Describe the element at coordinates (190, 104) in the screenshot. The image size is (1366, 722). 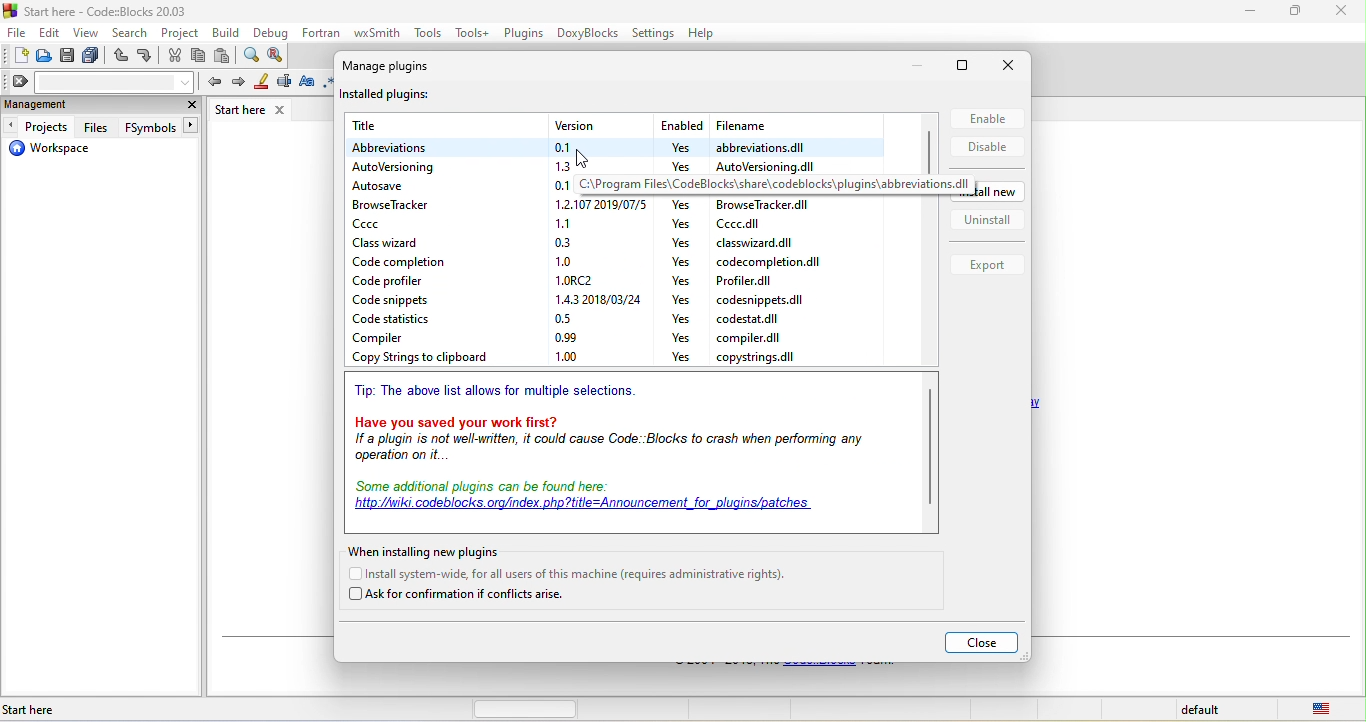
I see `close` at that location.